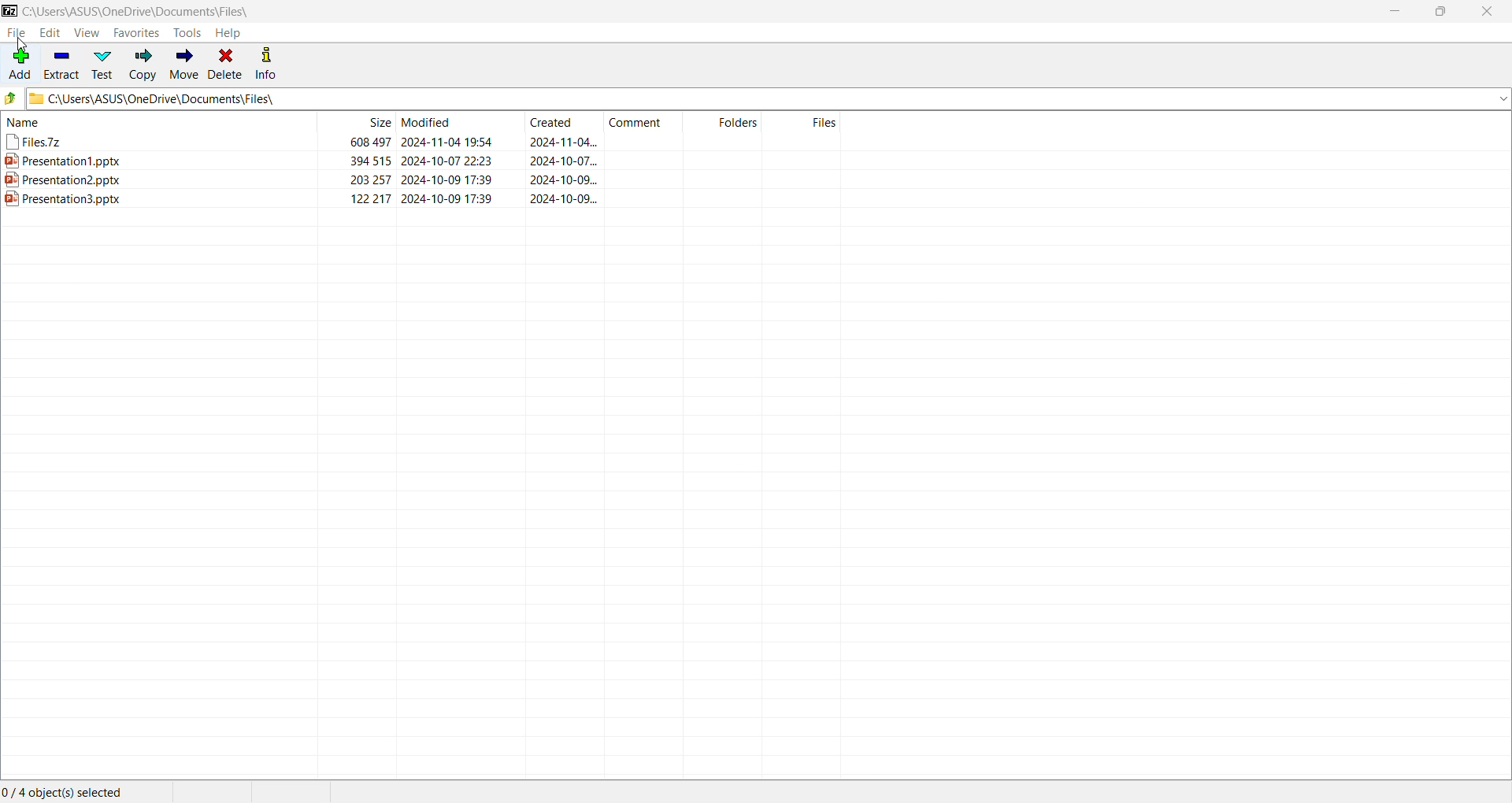 This screenshot has height=803, width=1512. I want to click on 122217, so click(366, 200).